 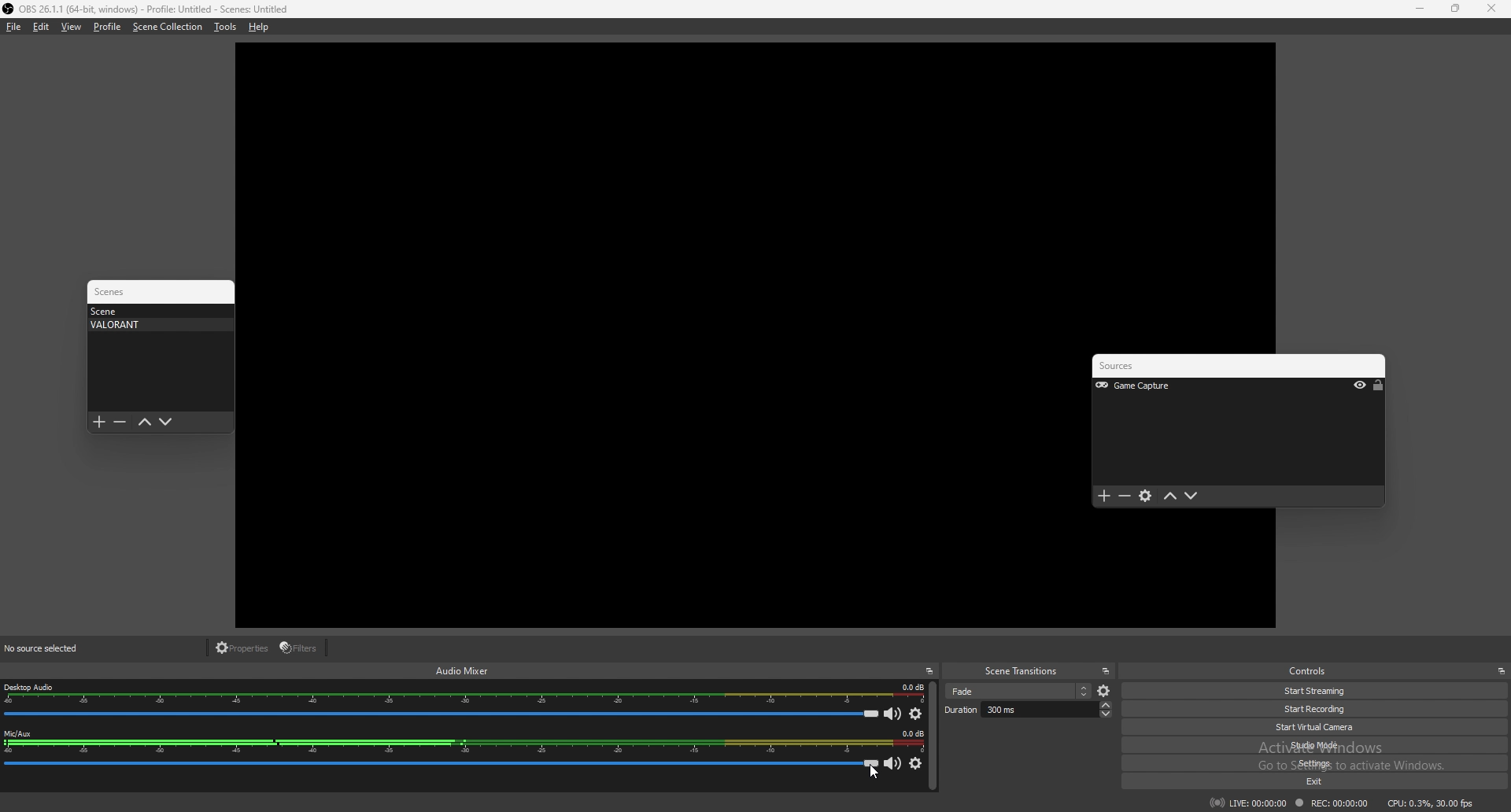 What do you see at coordinates (1018, 691) in the screenshot?
I see `scene selection` at bounding box center [1018, 691].